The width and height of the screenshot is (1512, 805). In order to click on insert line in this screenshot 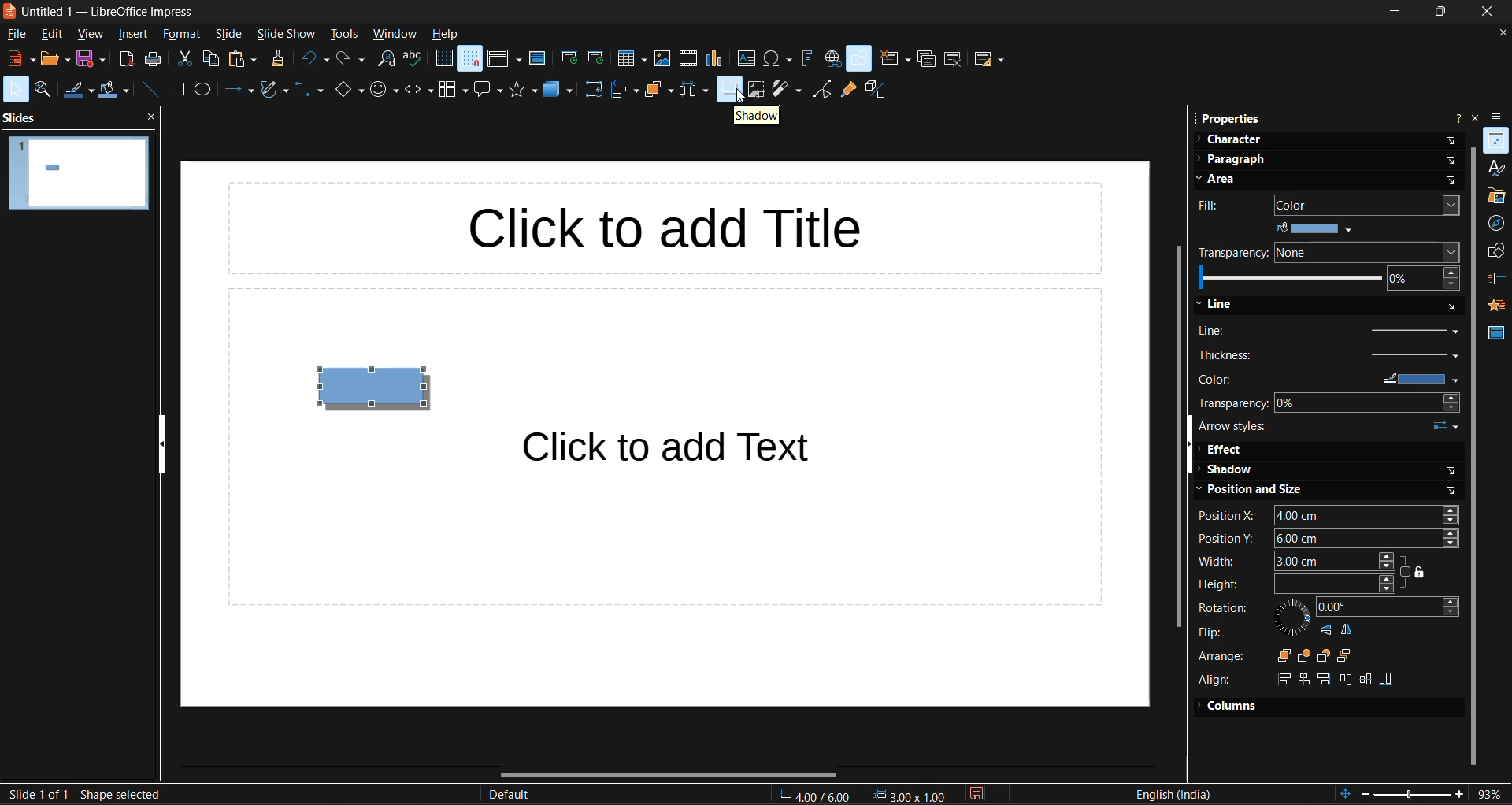, I will do `click(150, 91)`.